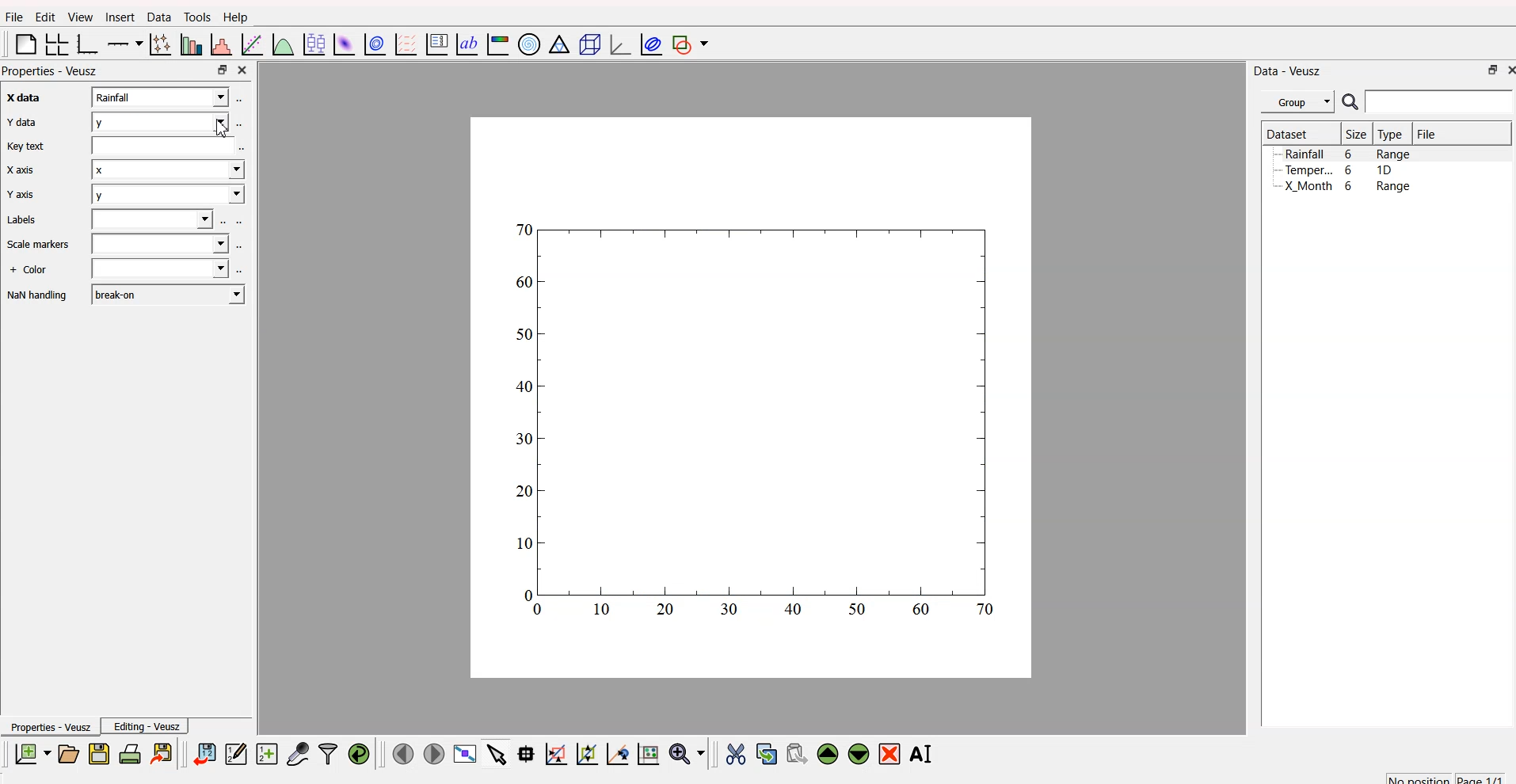 The width and height of the screenshot is (1516, 784). Describe the element at coordinates (252, 45) in the screenshot. I see `fit function to data` at that location.